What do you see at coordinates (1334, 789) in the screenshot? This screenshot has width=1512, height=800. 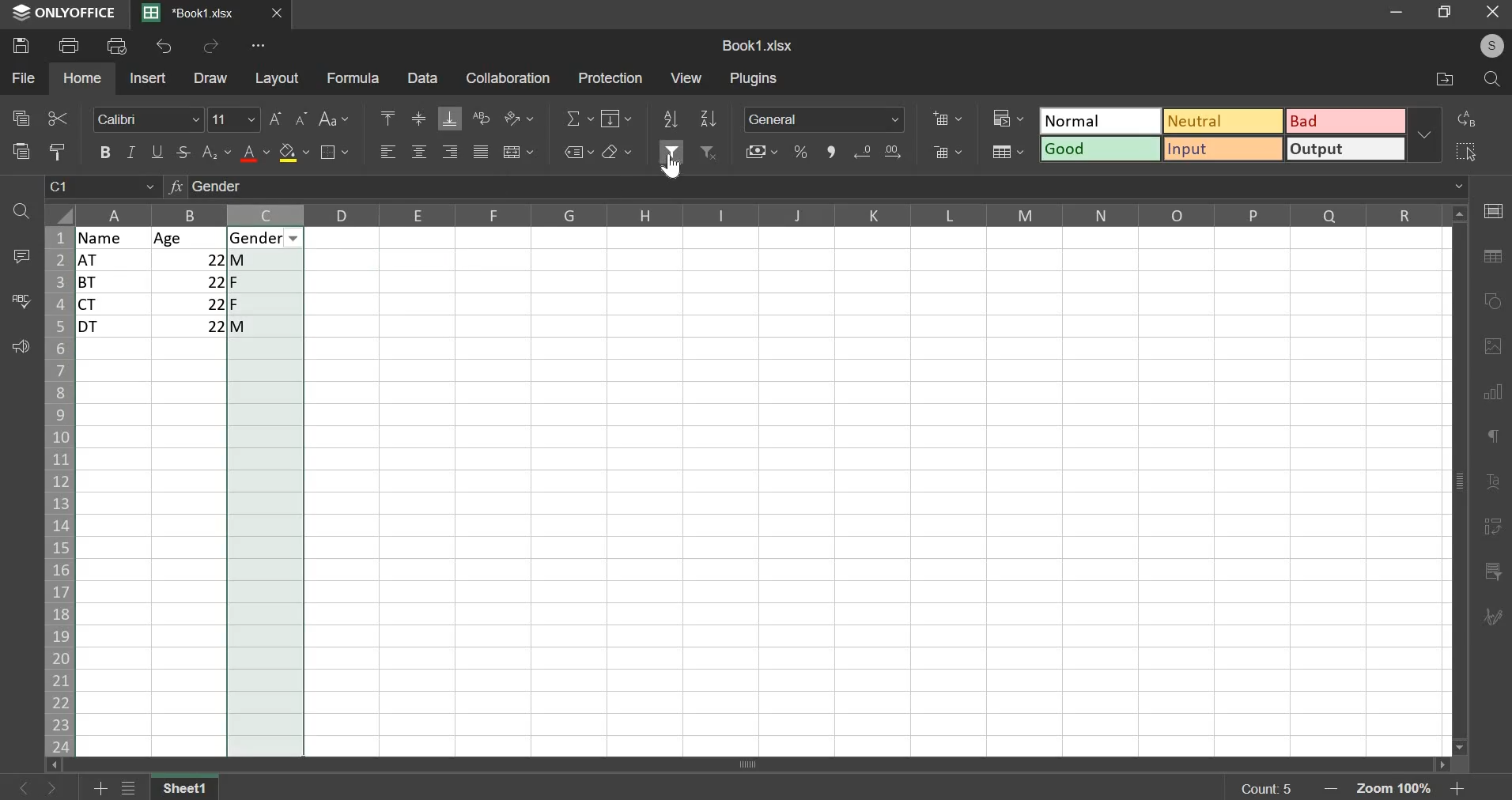 I see `zoom out` at bounding box center [1334, 789].